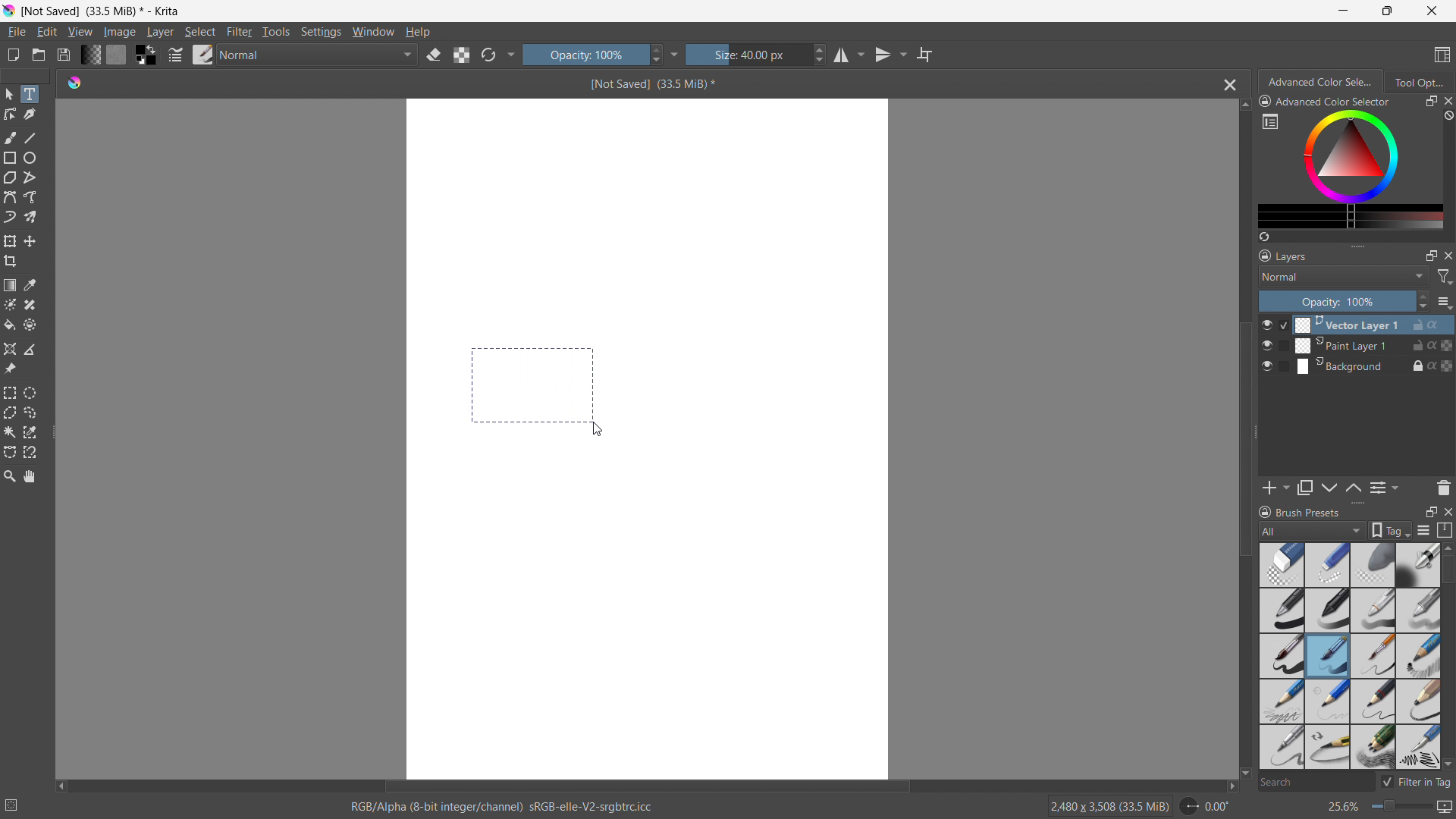  What do you see at coordinates (1227, 786) in the screenshot?
I see `scroll right` at bounding box center [1227, 786].